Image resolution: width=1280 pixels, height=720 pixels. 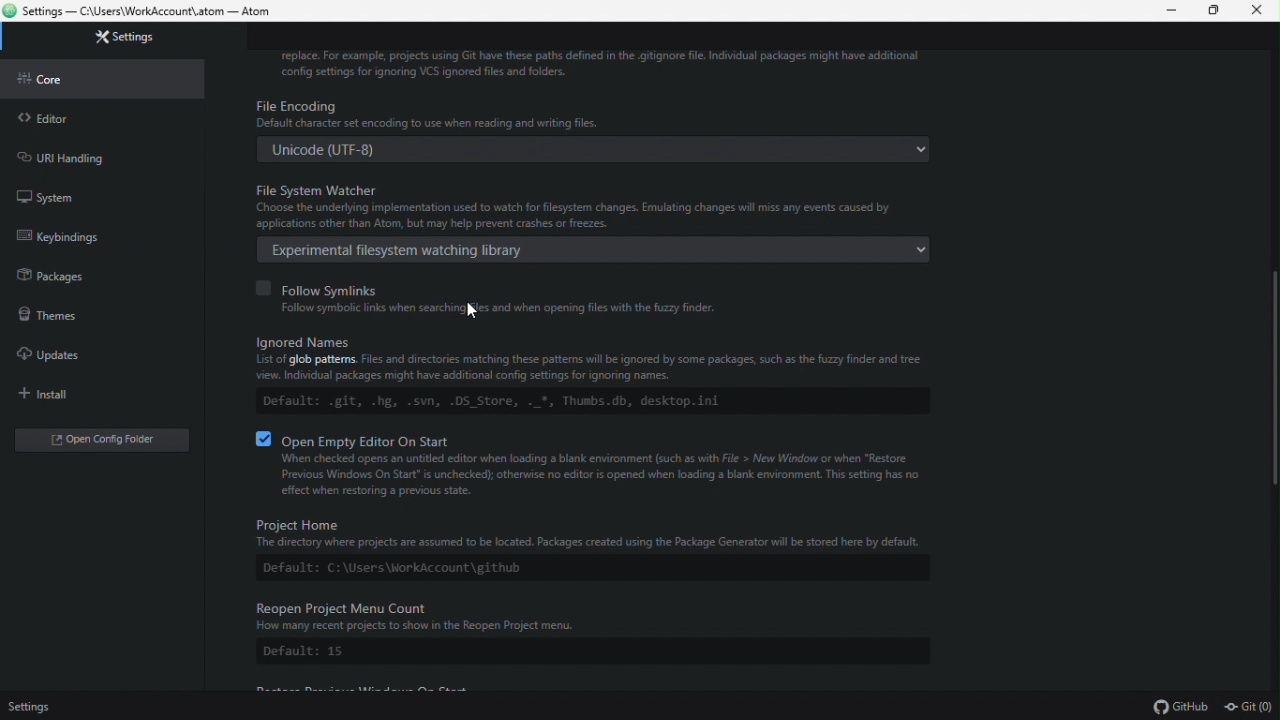 What do you see at coordinates (598, 466) in the screenshot?
I see `open empty editor on start` at bounding box center [598, 466].